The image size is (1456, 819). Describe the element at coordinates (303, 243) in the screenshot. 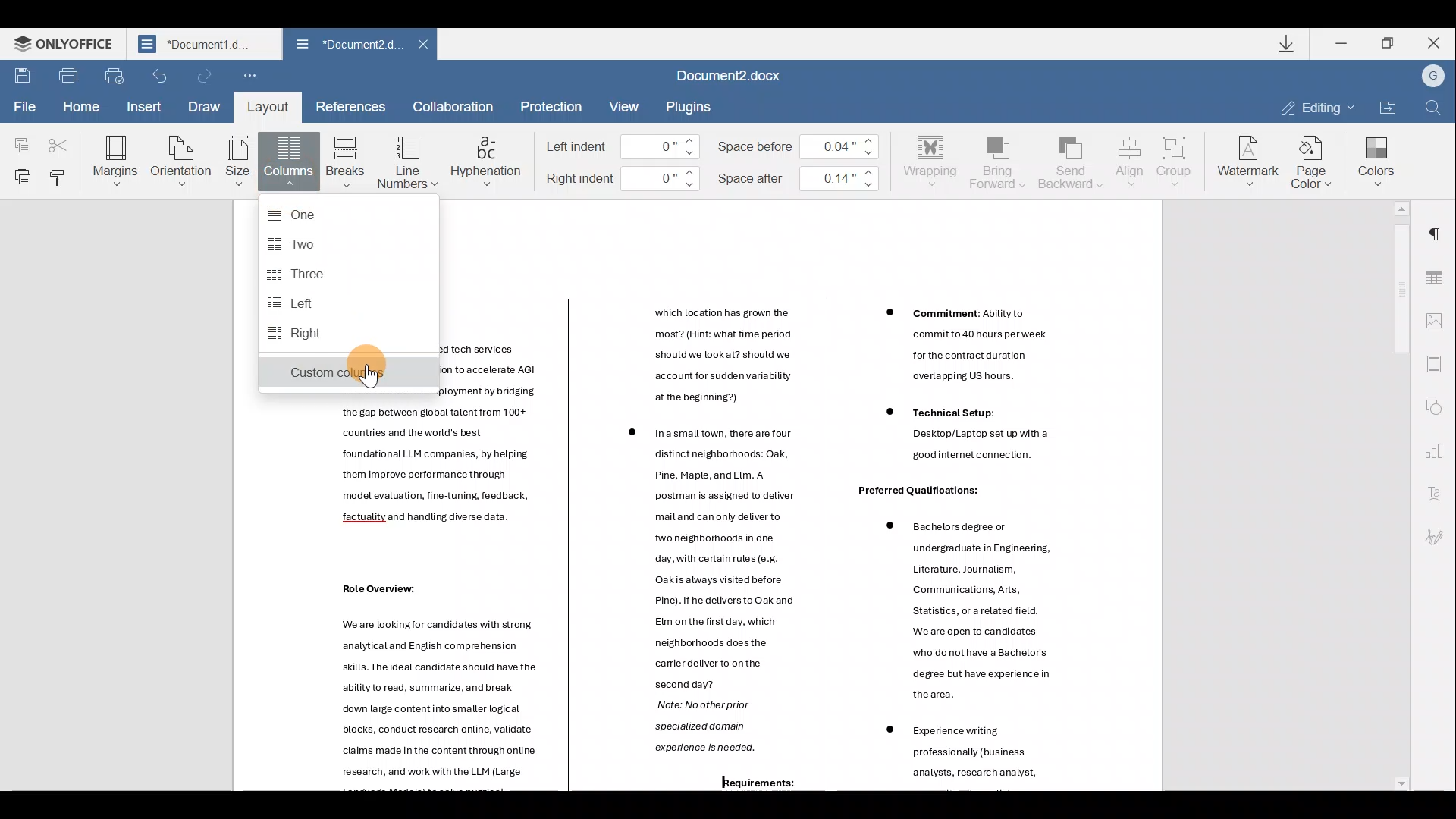

I see `Two` at that location.